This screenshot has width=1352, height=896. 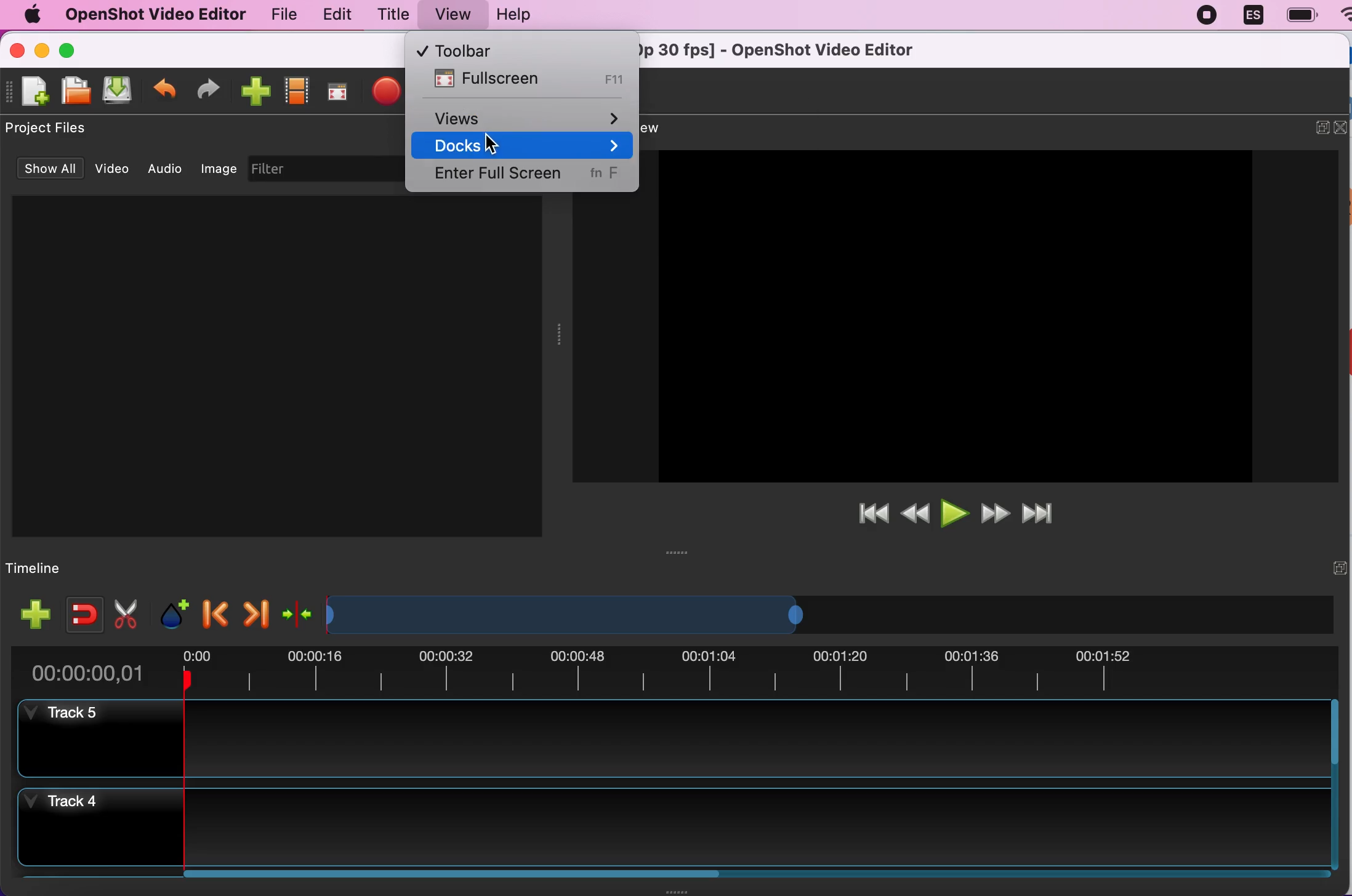 What do you see at coordinates (388, 15) in the screenshot?
I see `title` at bounding box center [388, 15].